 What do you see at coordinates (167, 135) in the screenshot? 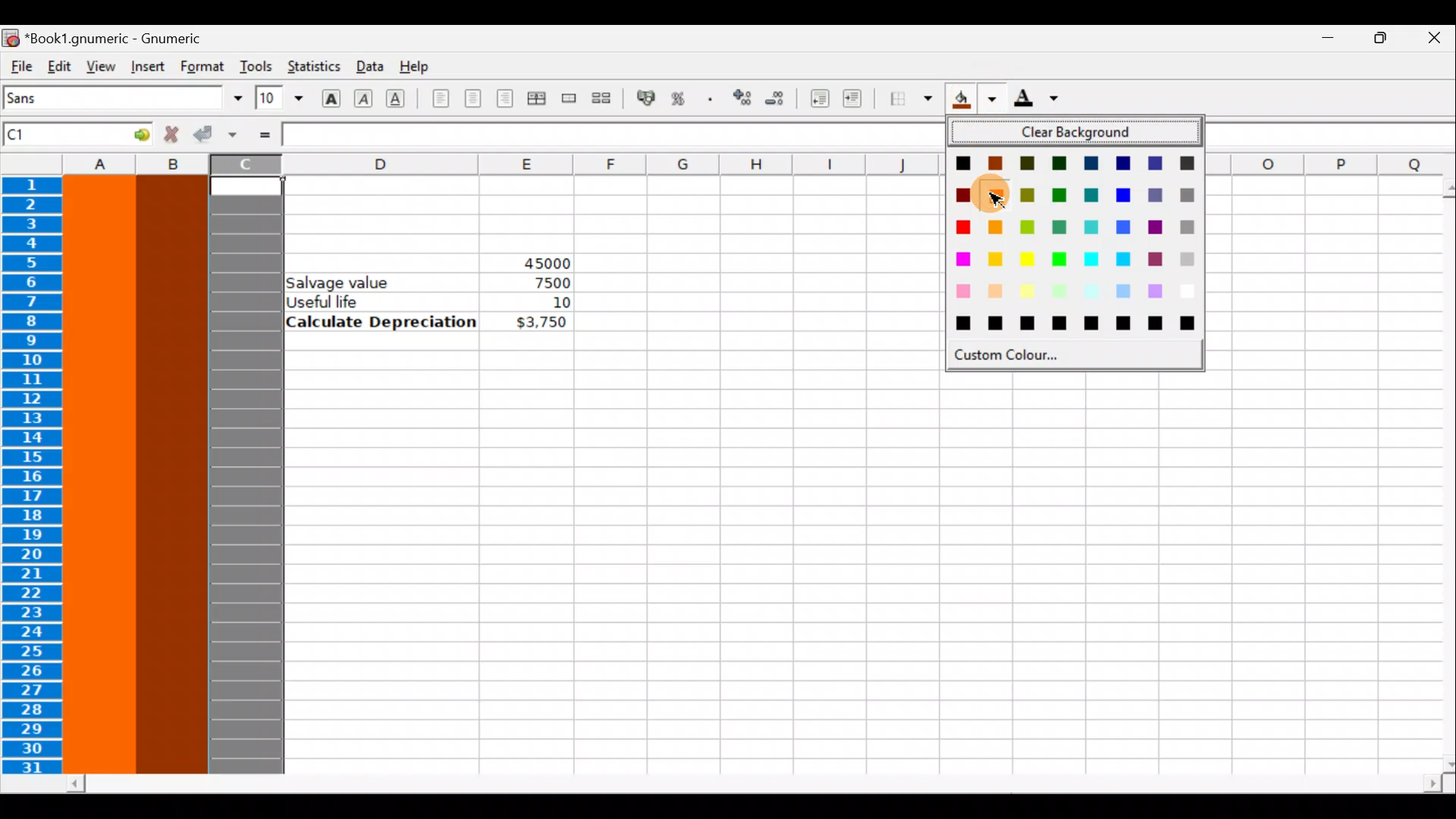
I see `Reject change` at bounding box center [167, 135].